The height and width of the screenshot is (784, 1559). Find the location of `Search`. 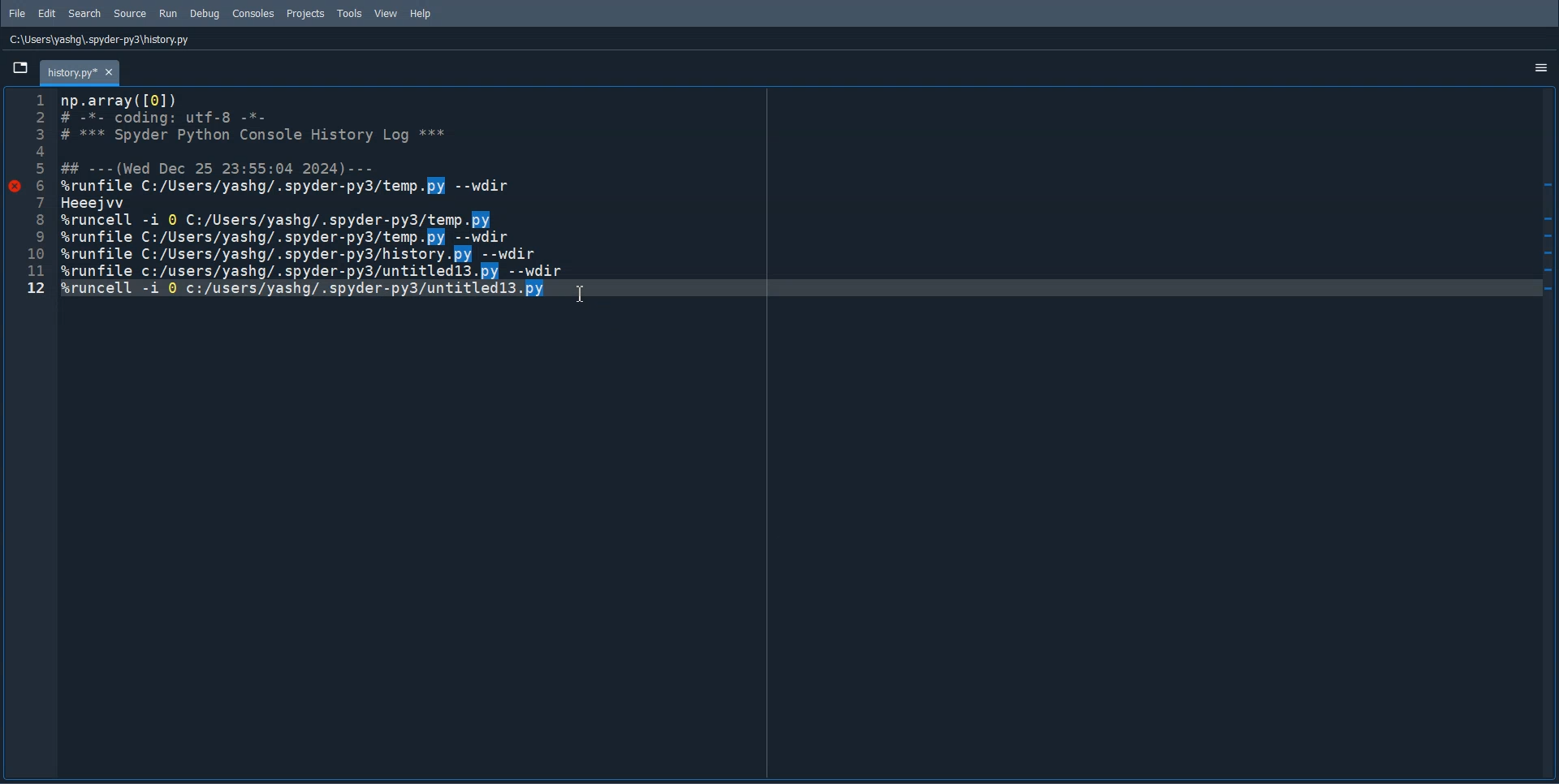

Search is located at coordinates (84, 13).